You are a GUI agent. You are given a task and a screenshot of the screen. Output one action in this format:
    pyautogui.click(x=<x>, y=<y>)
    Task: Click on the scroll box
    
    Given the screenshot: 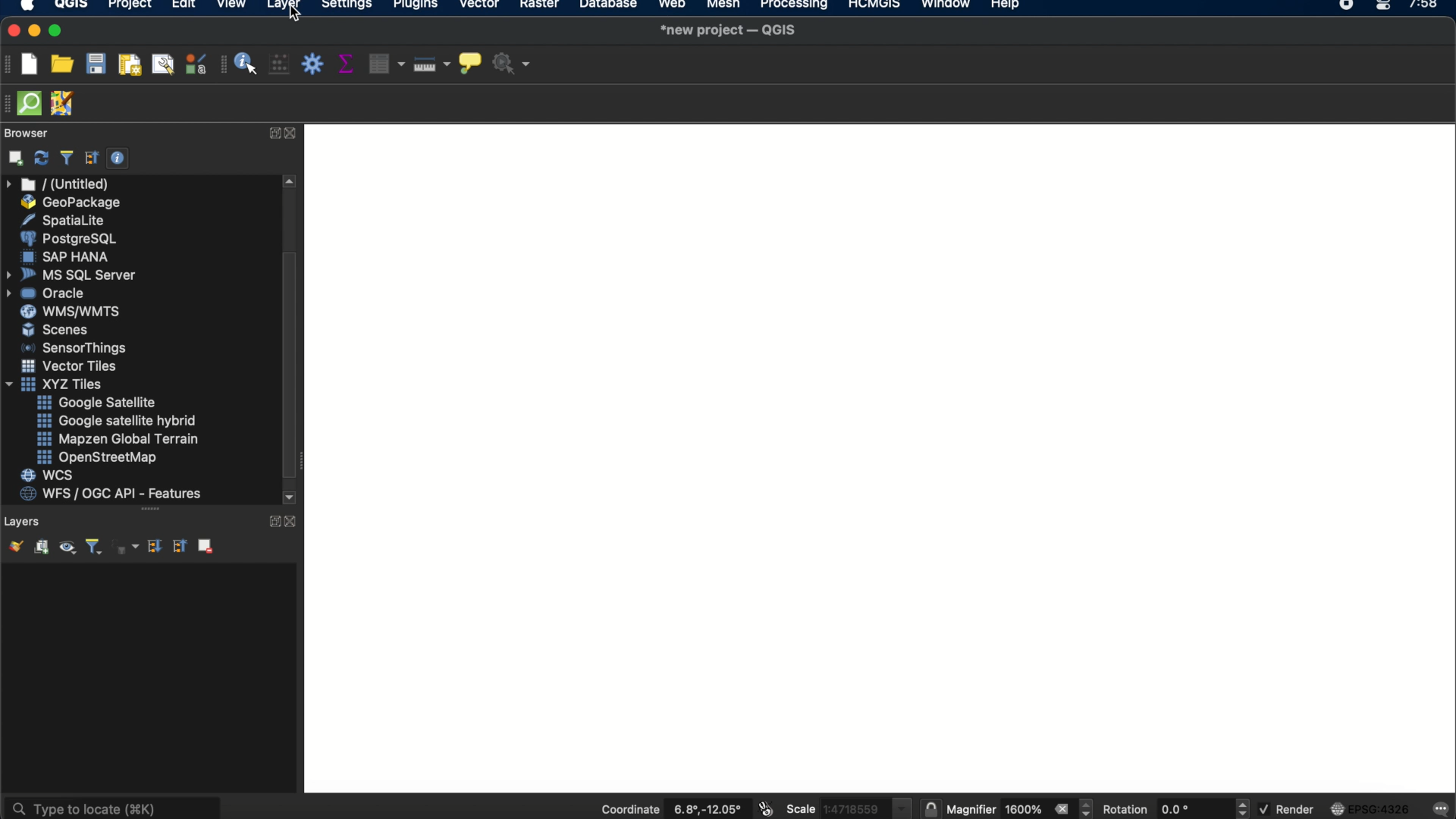 What is the action you would take?
    pyautogui.click(x=292, y=366)
    